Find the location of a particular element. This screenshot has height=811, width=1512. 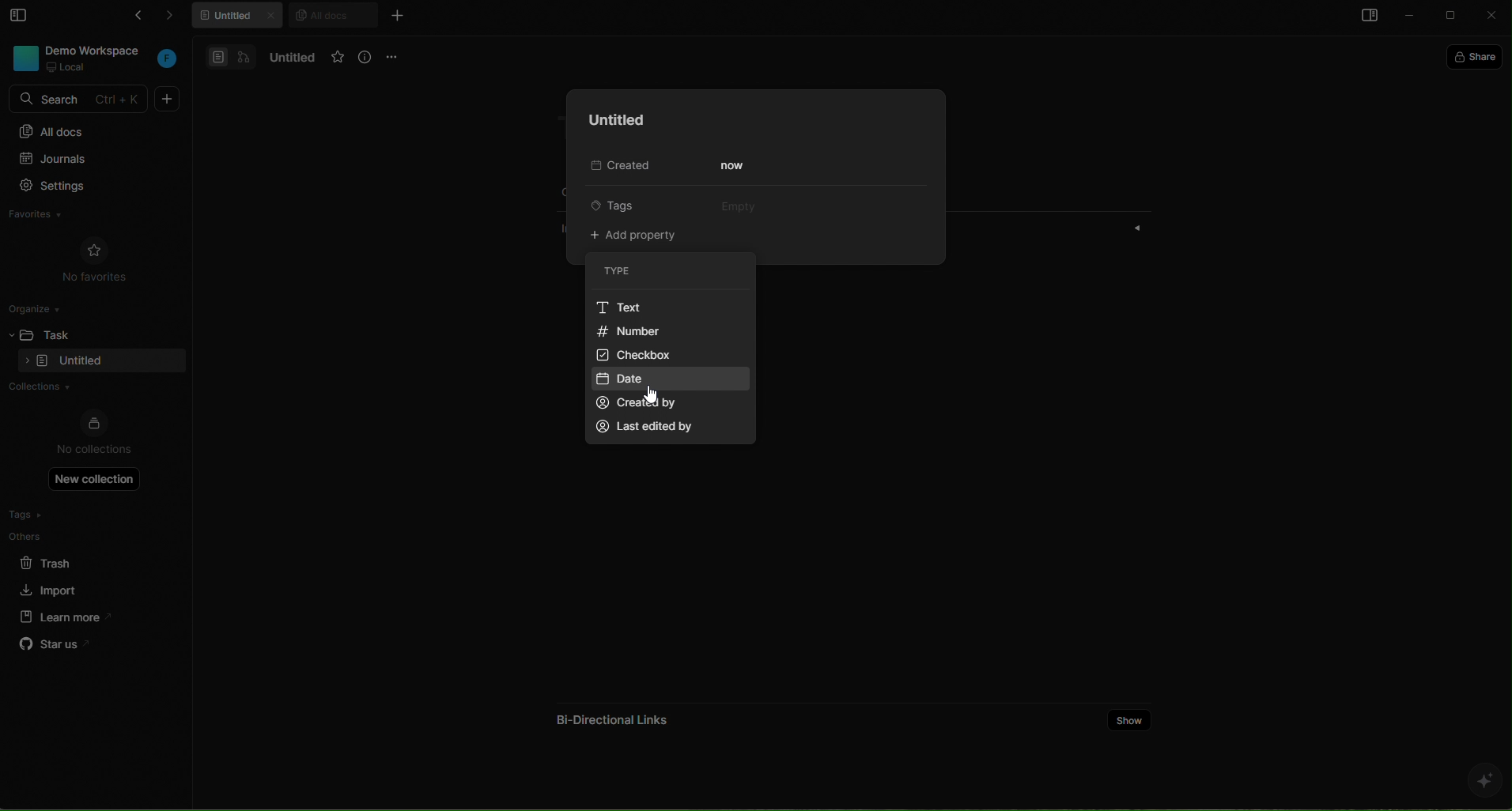

bi directional links is located at coordinates (609, 715).